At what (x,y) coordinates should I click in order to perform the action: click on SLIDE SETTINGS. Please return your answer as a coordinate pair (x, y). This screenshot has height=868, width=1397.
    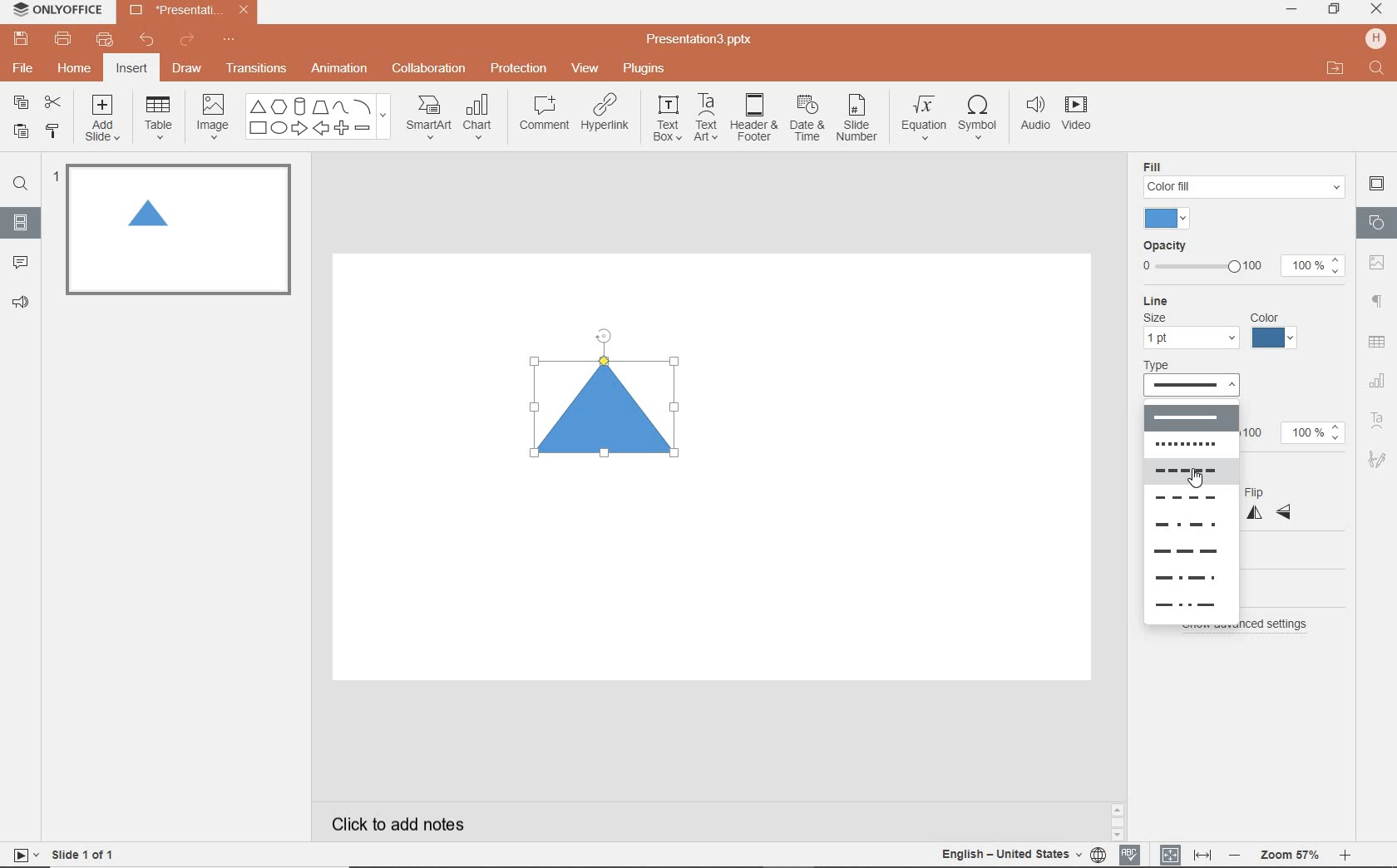
    Looking at the image, I should click on (1377, 185).